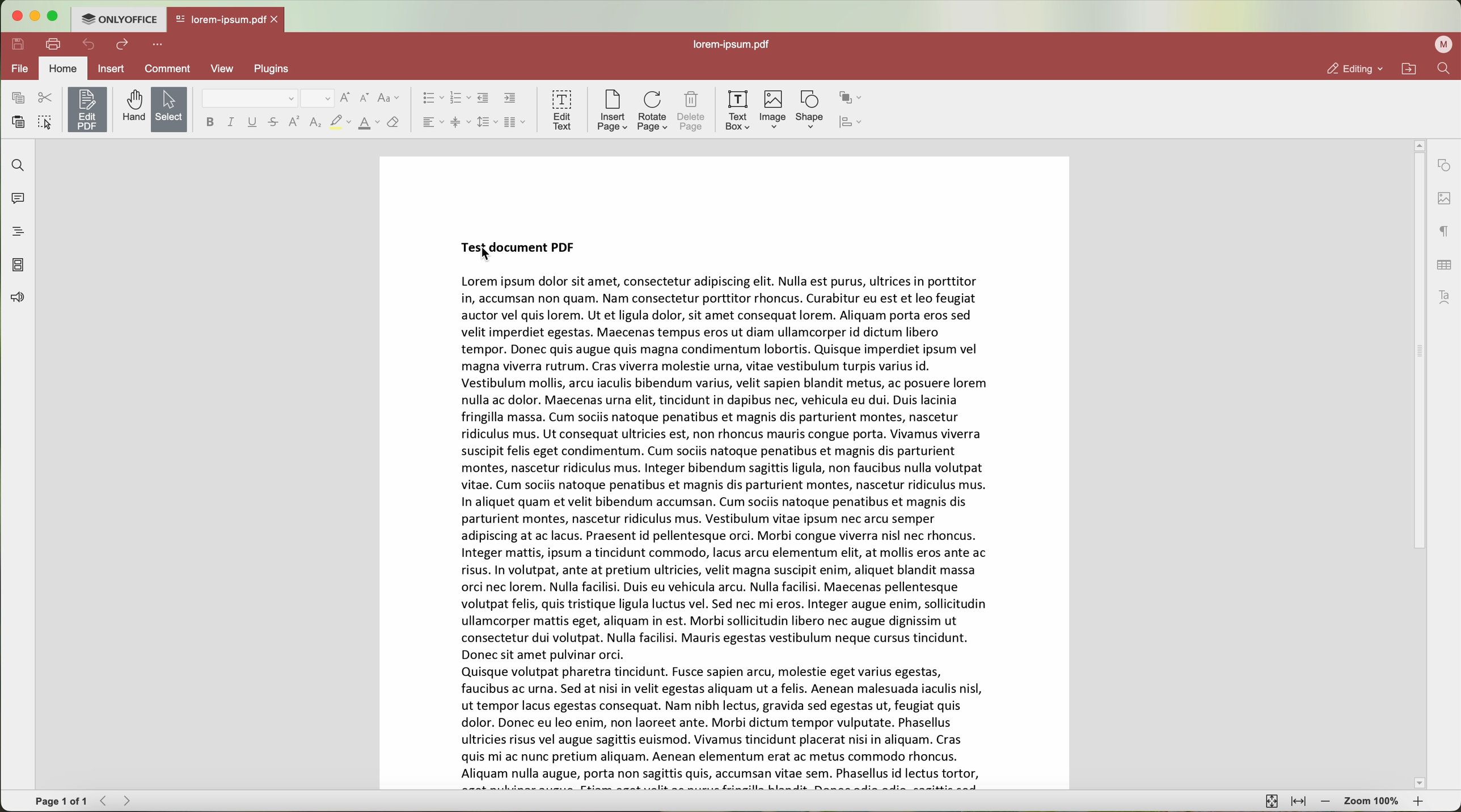 This screenshot has height=812, width=1461. Describe the element at coordinates (487, 122) in the screenshot. I see `line spacing` at that location.